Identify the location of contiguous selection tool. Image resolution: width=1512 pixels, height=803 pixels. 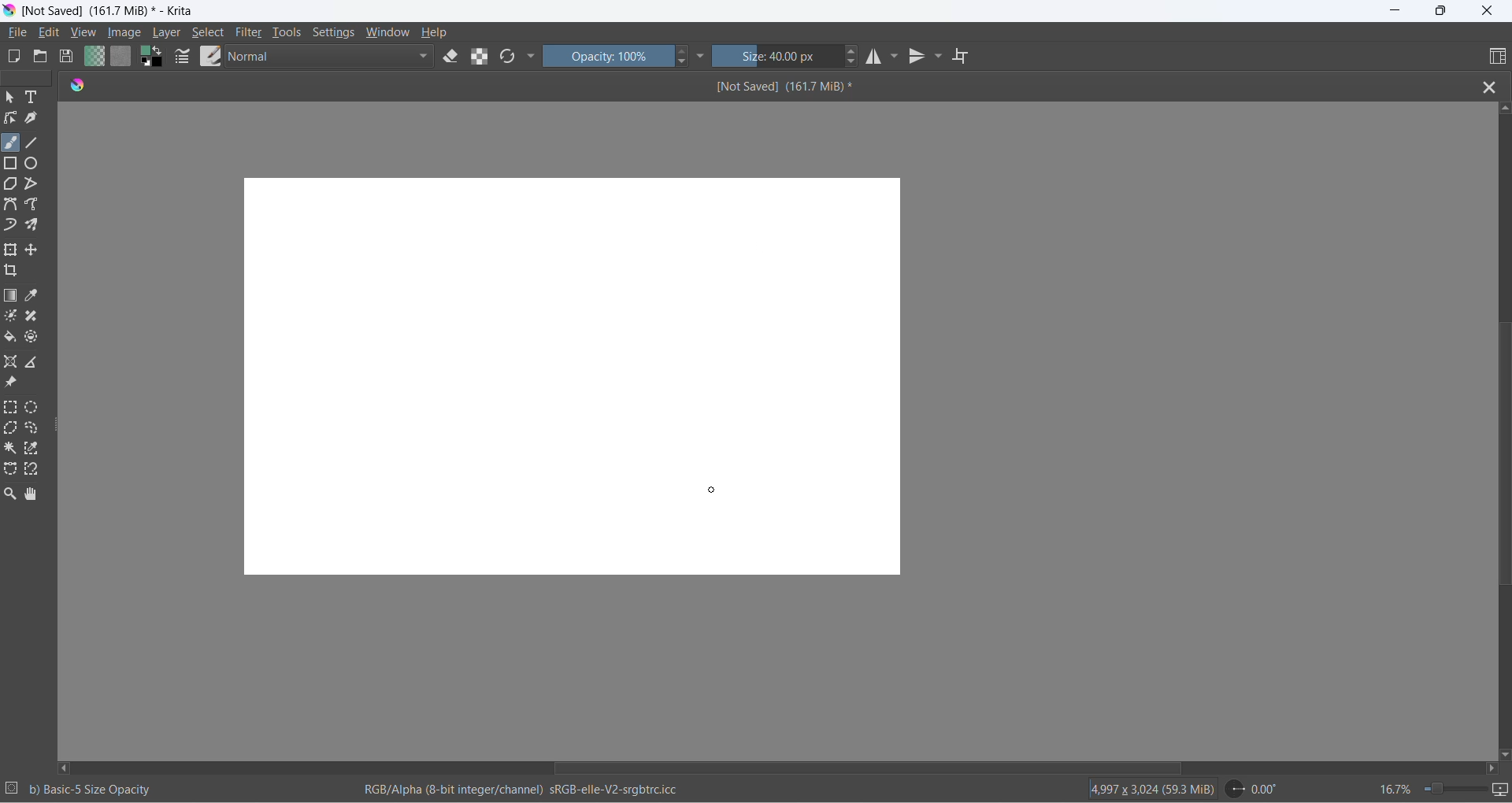
(10, 447).